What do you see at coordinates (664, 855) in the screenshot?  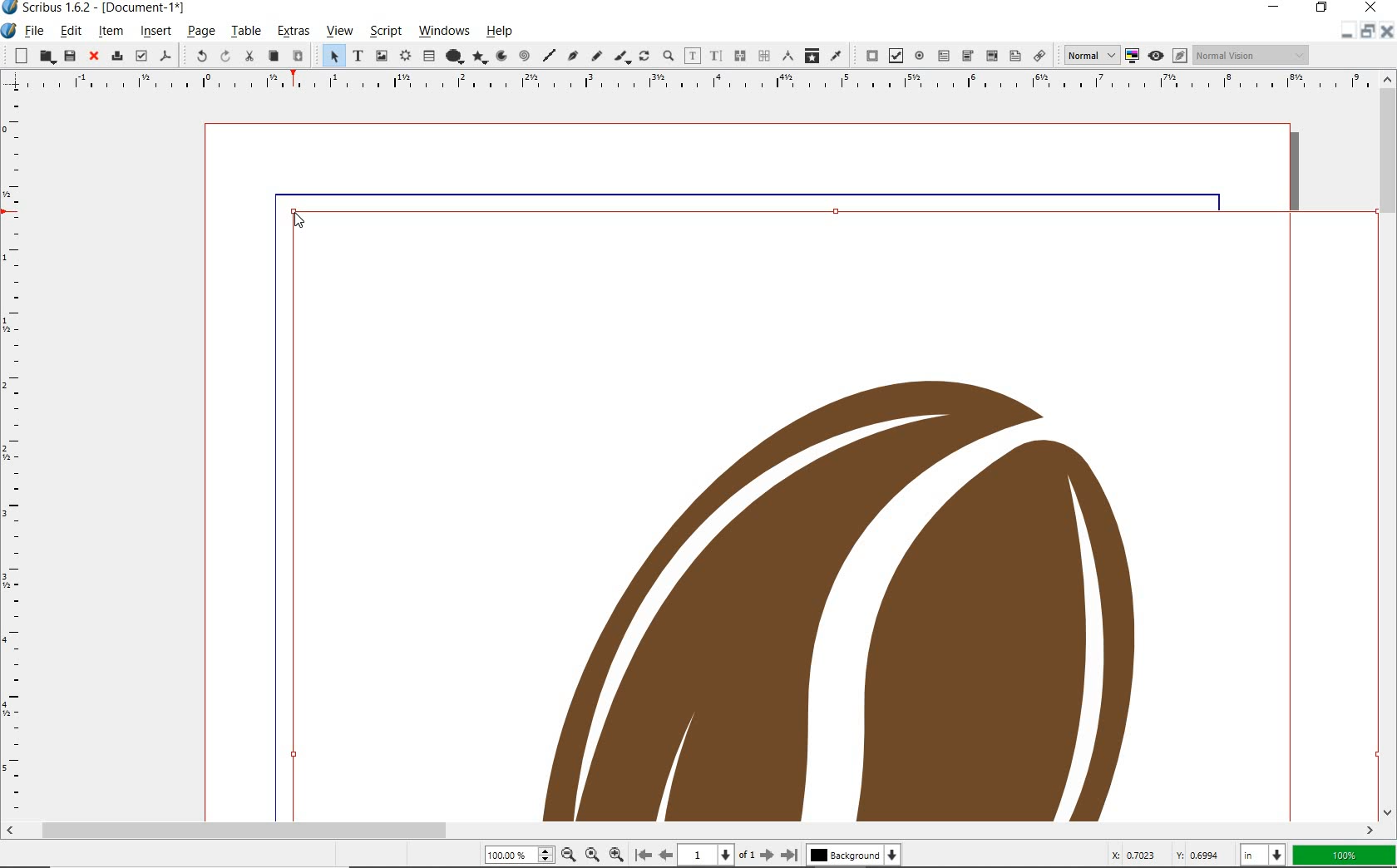 I see `Previous Page` at bounding box center [664, 855].